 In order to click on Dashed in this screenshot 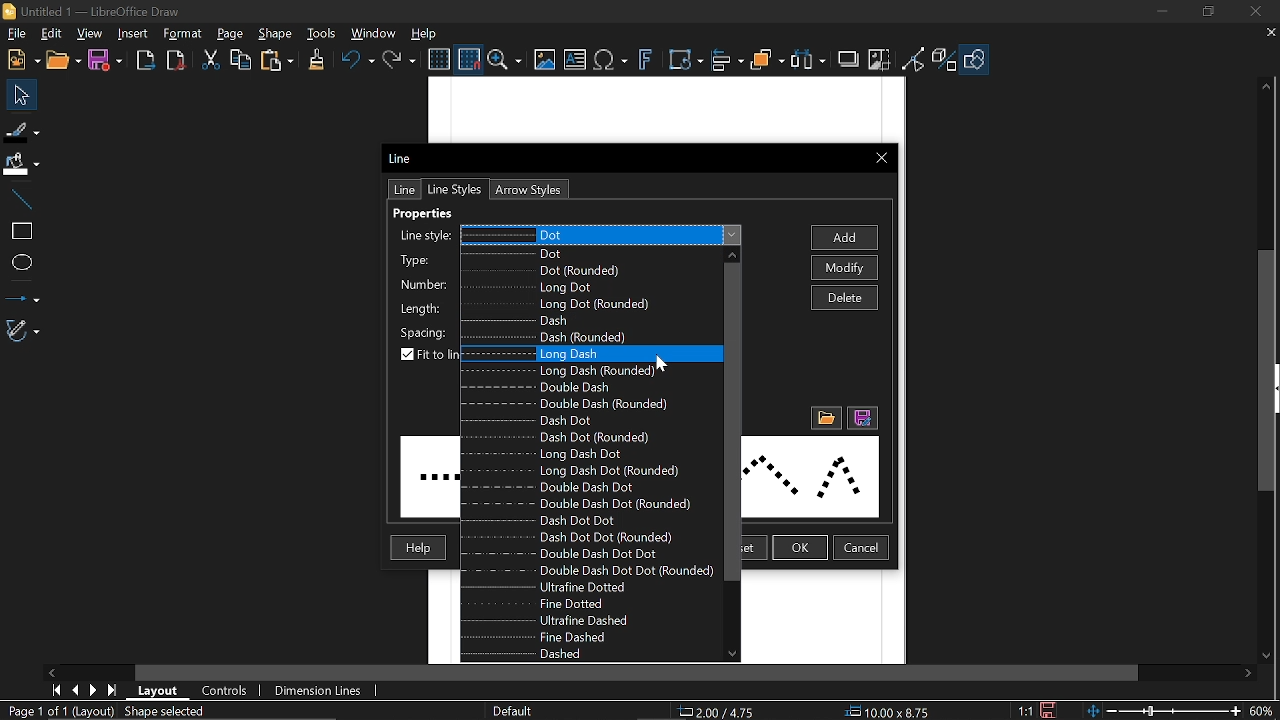, I will do `click(574, 652)`.